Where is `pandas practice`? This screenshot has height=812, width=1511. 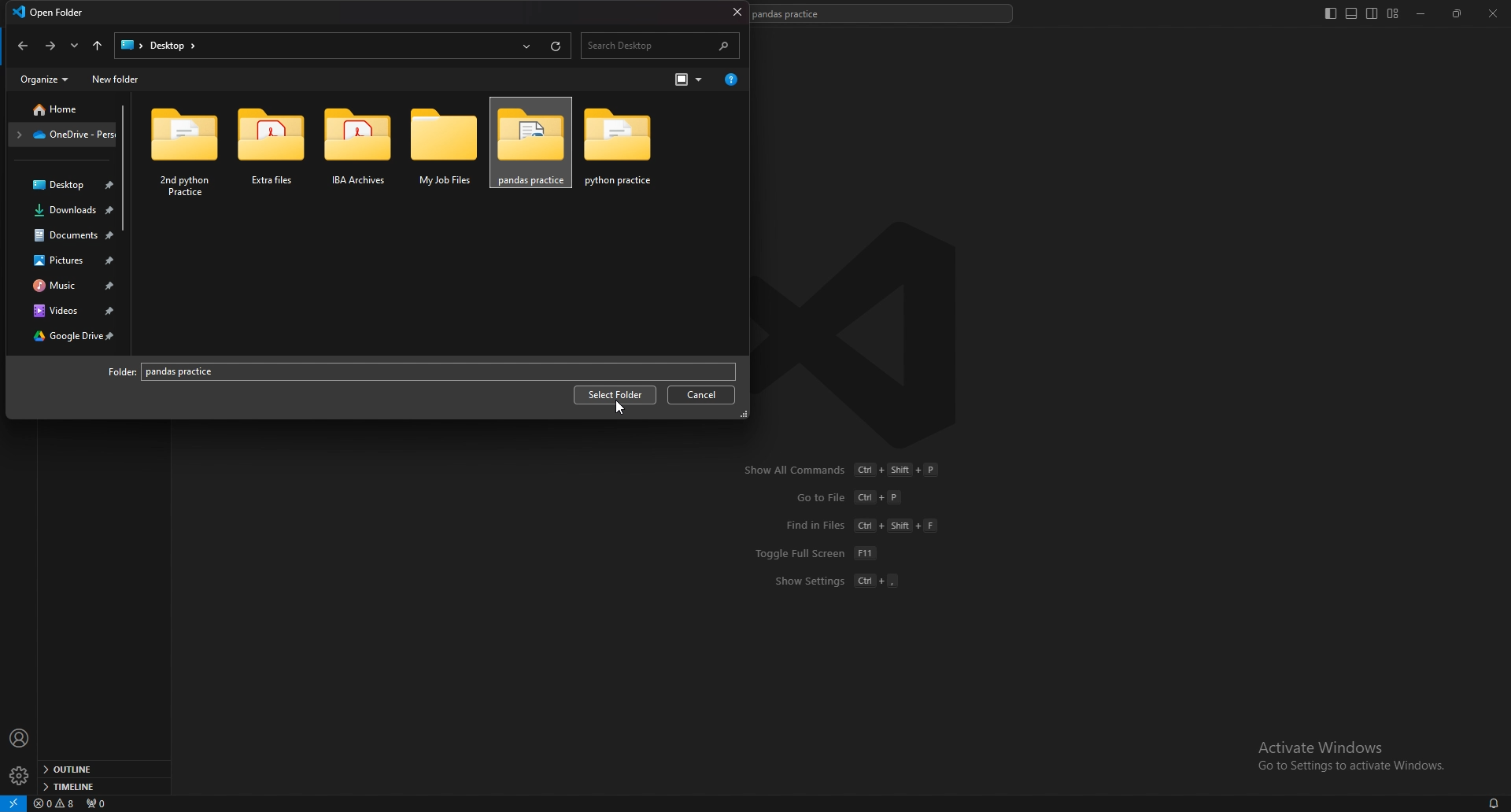 pandas practice is located at coordinates (534, 145).